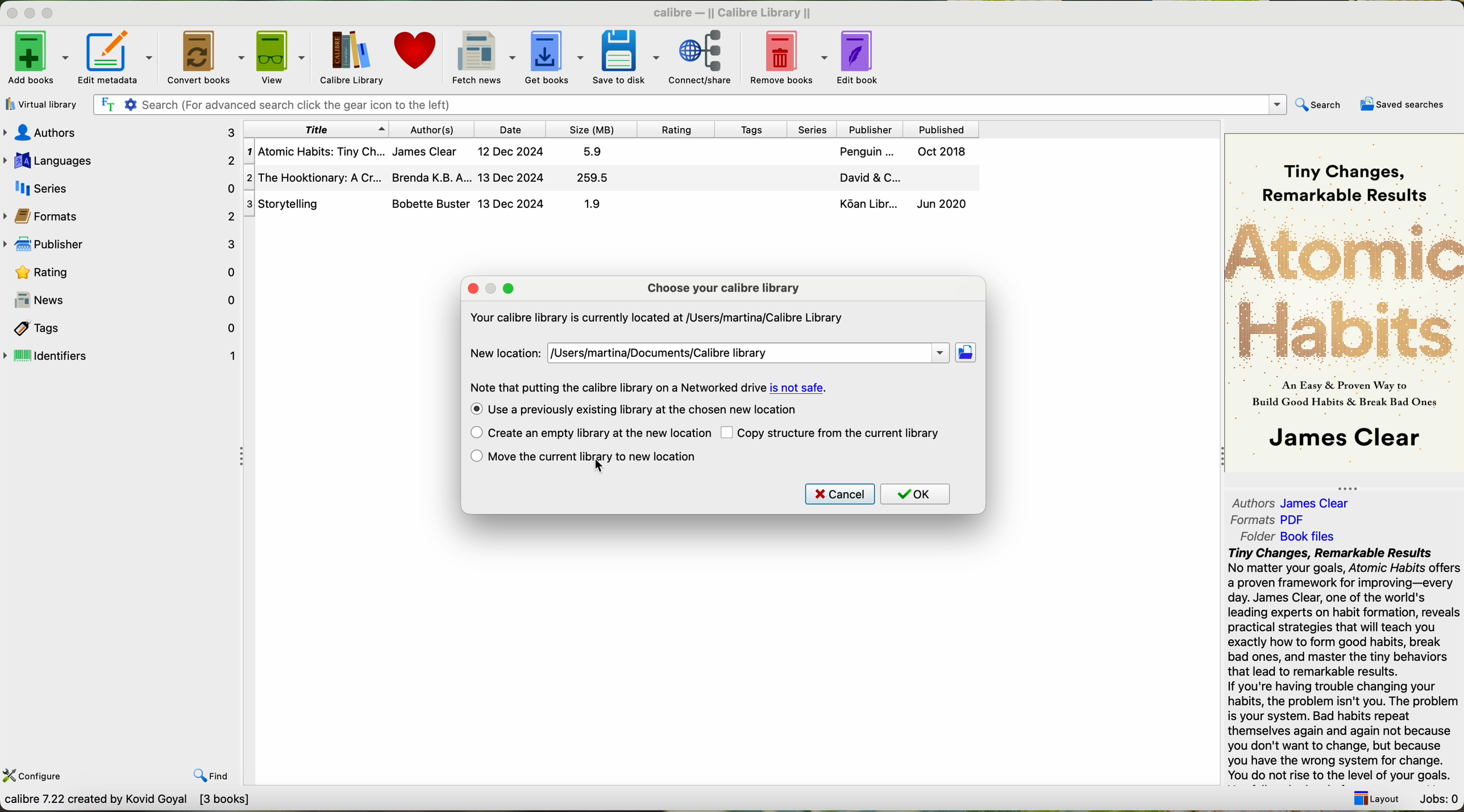  I want to click on date, so click(513, 129).